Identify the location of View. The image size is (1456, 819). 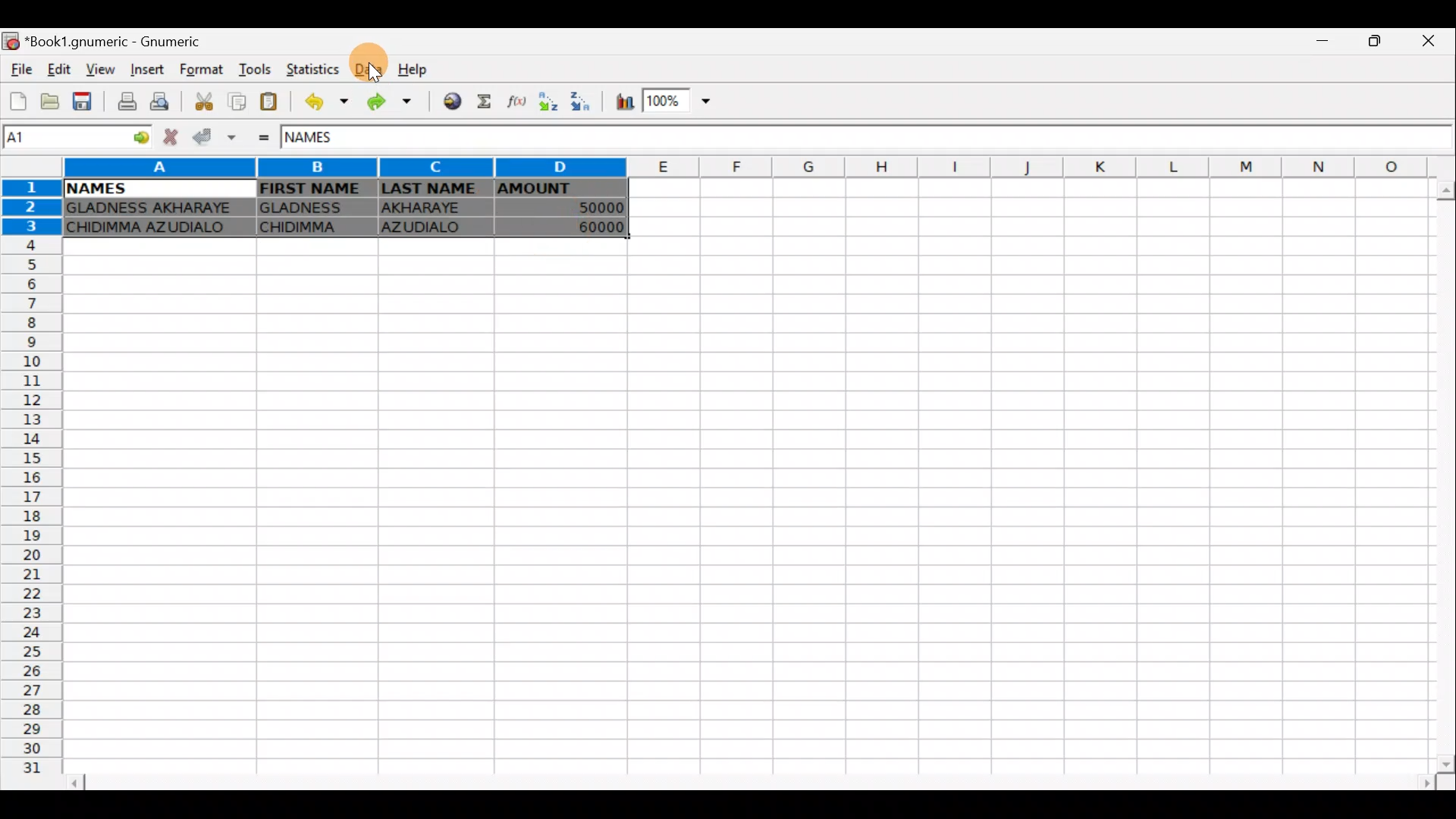
(96, 70).